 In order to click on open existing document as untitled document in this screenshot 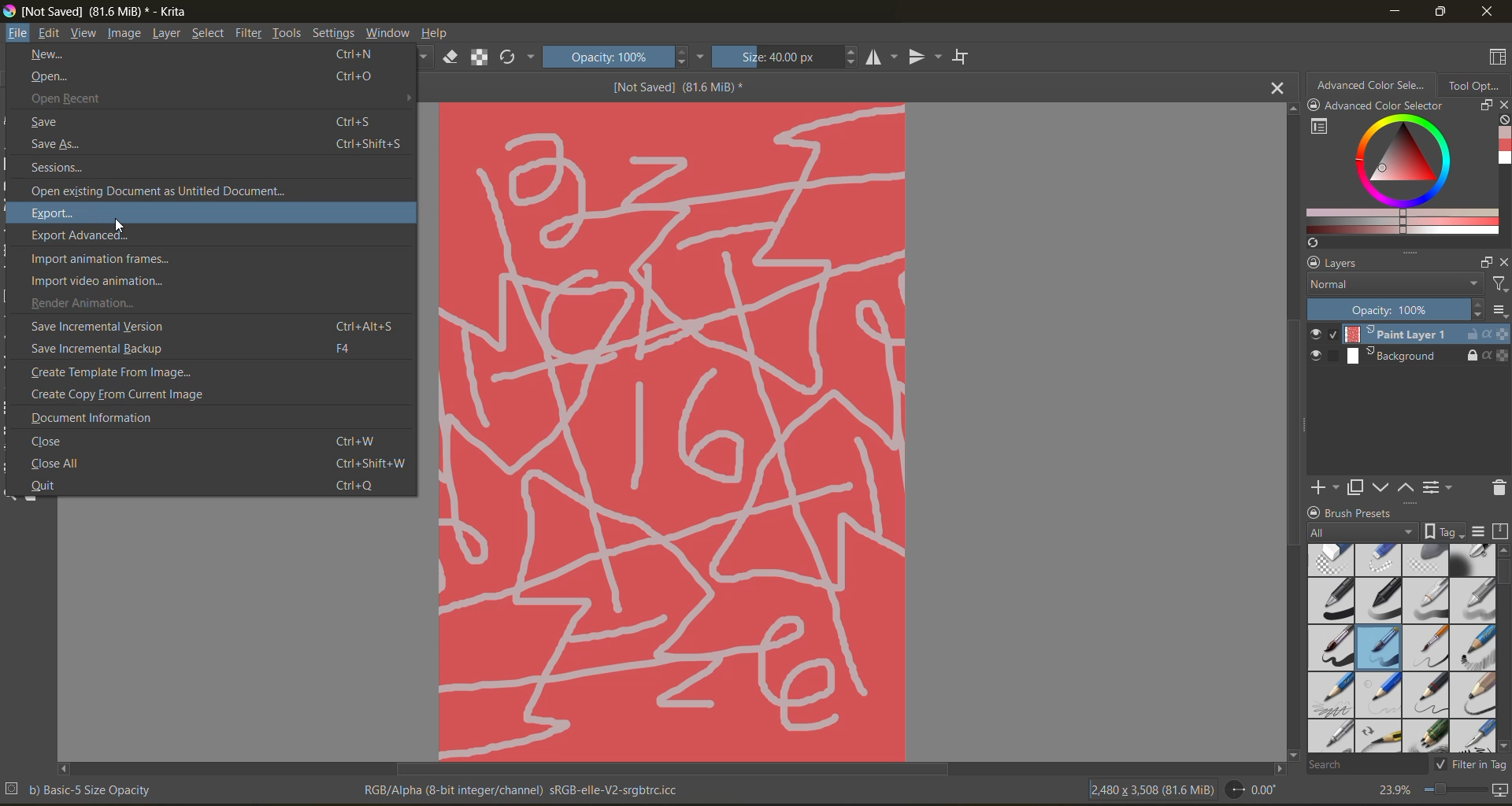, I will do `click(169, 192)`.